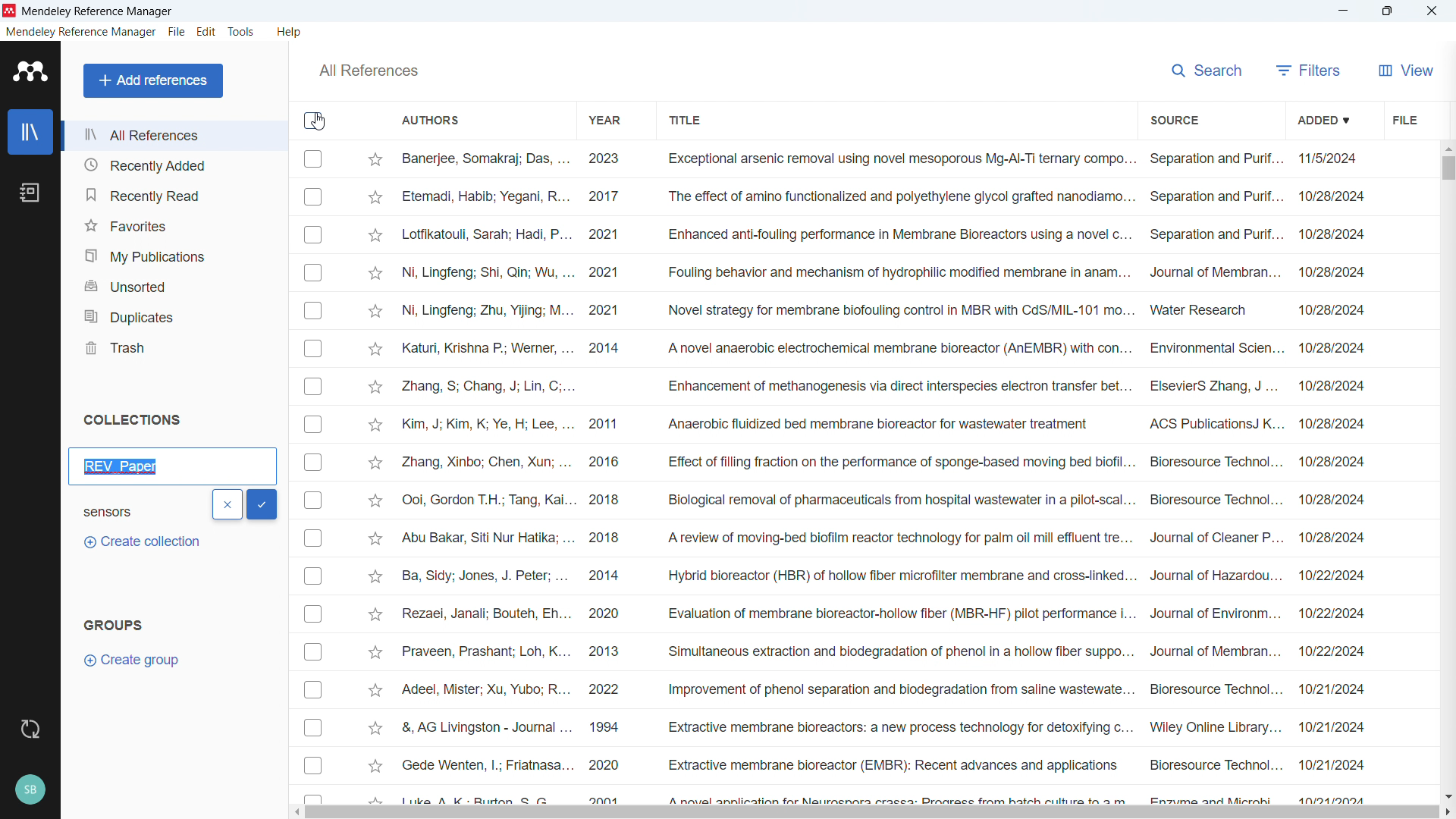 This screenshot has height=819, width=1456. I want to click on Star mark respective publication, so click(375, 236).